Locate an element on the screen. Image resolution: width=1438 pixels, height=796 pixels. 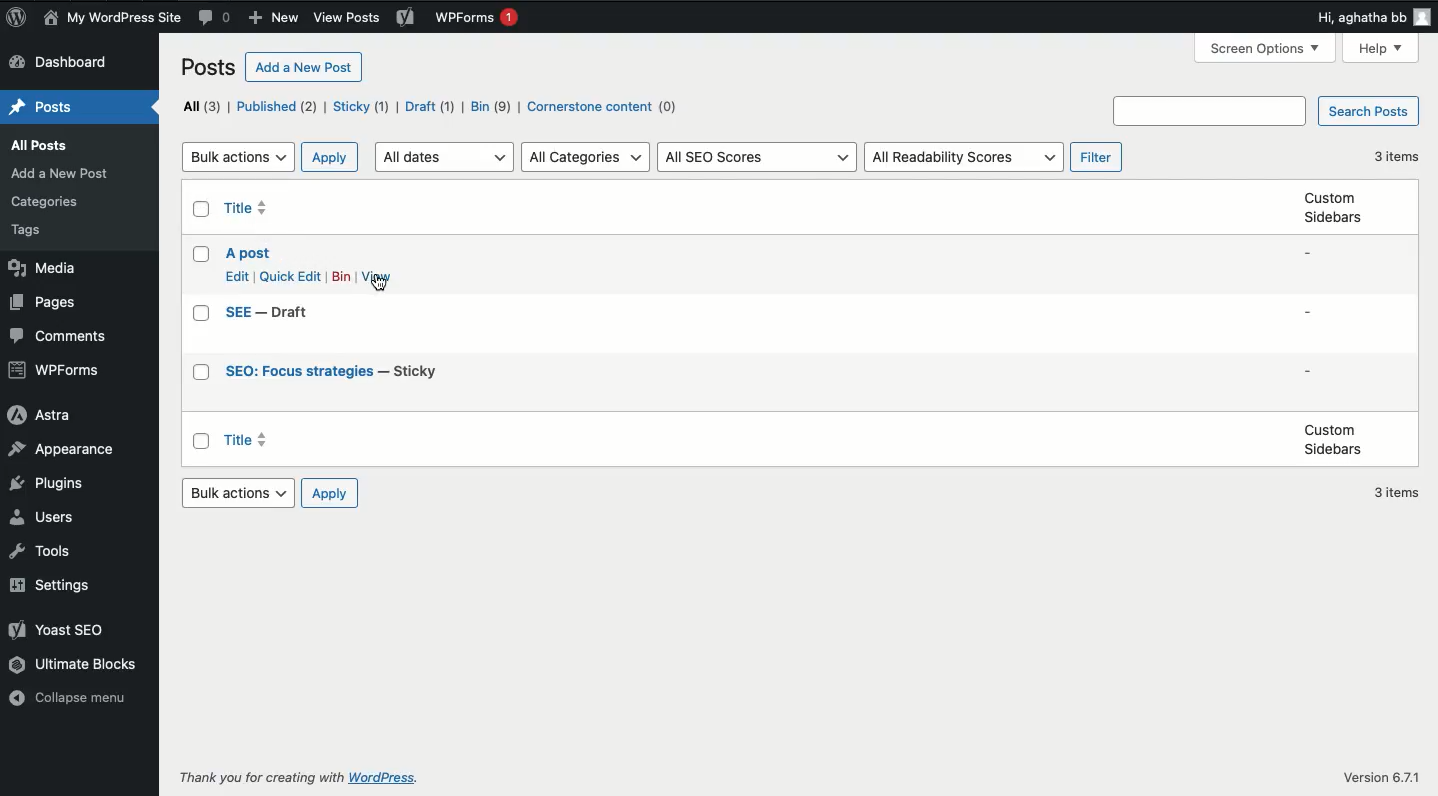
 is located at coordinates (1266, 49).